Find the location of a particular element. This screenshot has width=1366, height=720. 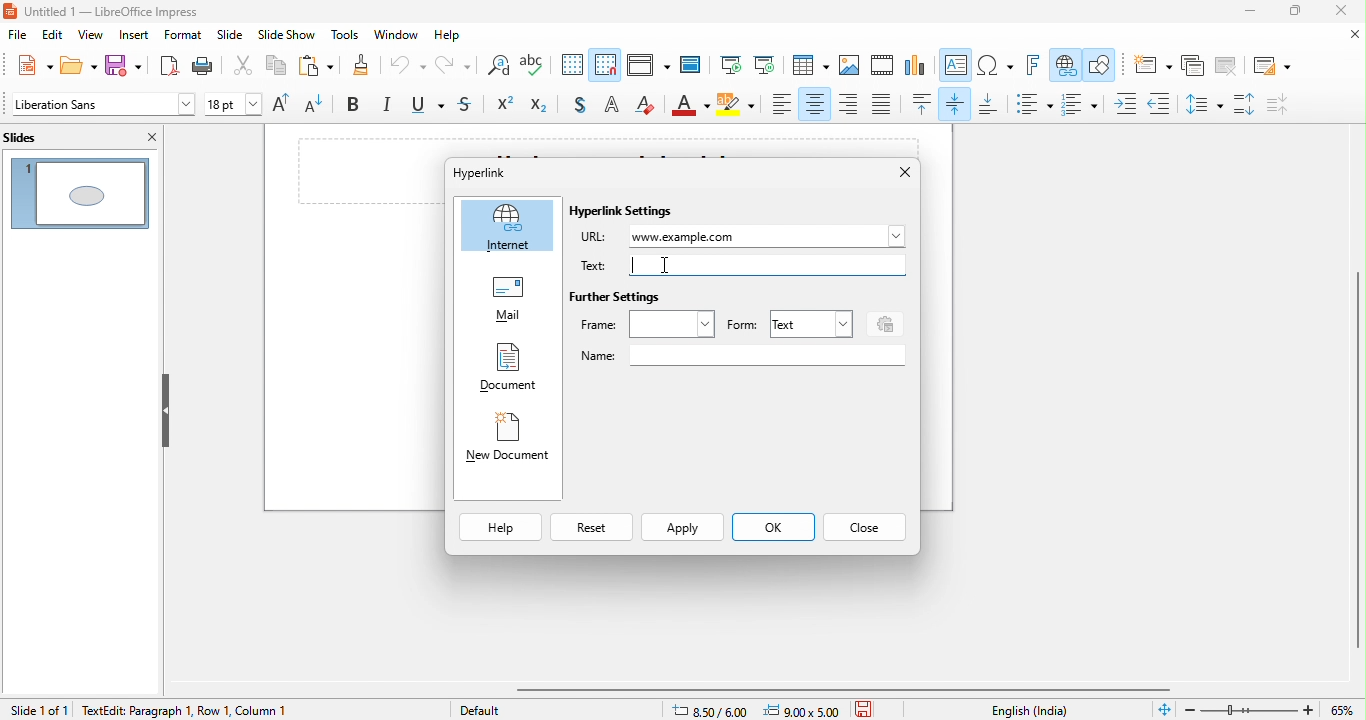

help is located at coordinates (454, 37).